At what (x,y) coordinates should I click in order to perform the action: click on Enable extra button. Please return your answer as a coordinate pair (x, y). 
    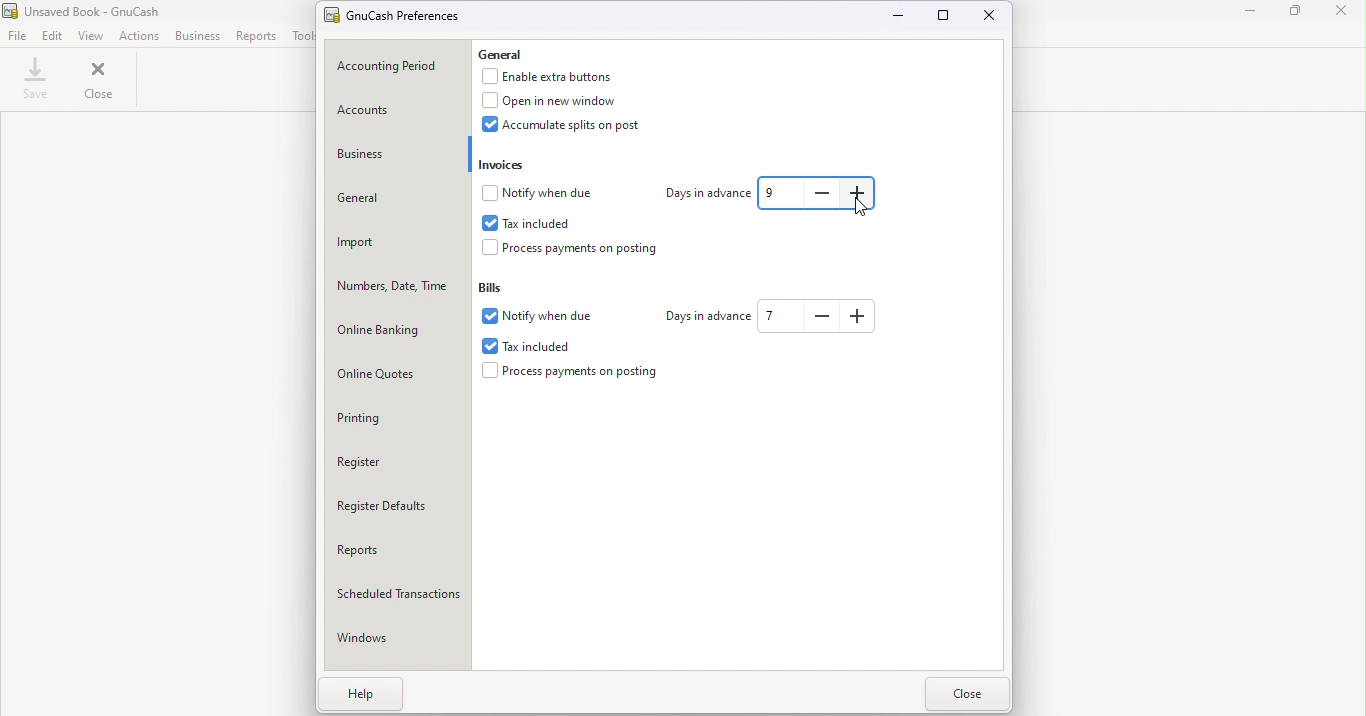
    Looking at the image, I should click on (558, 77).